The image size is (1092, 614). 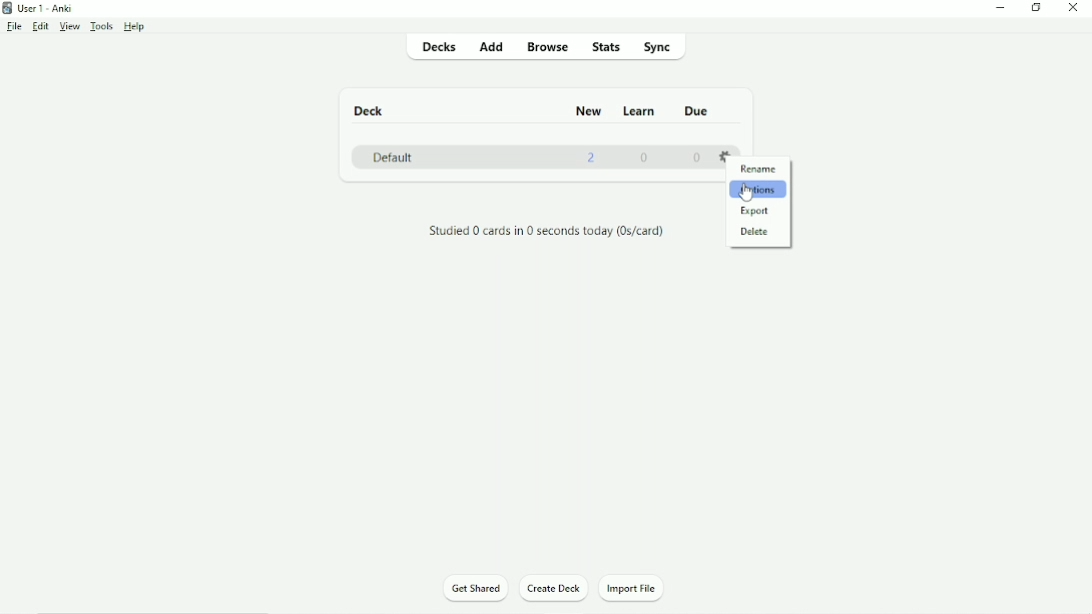 I want to click on User 1 - Anki, so click(x=45, y=7).